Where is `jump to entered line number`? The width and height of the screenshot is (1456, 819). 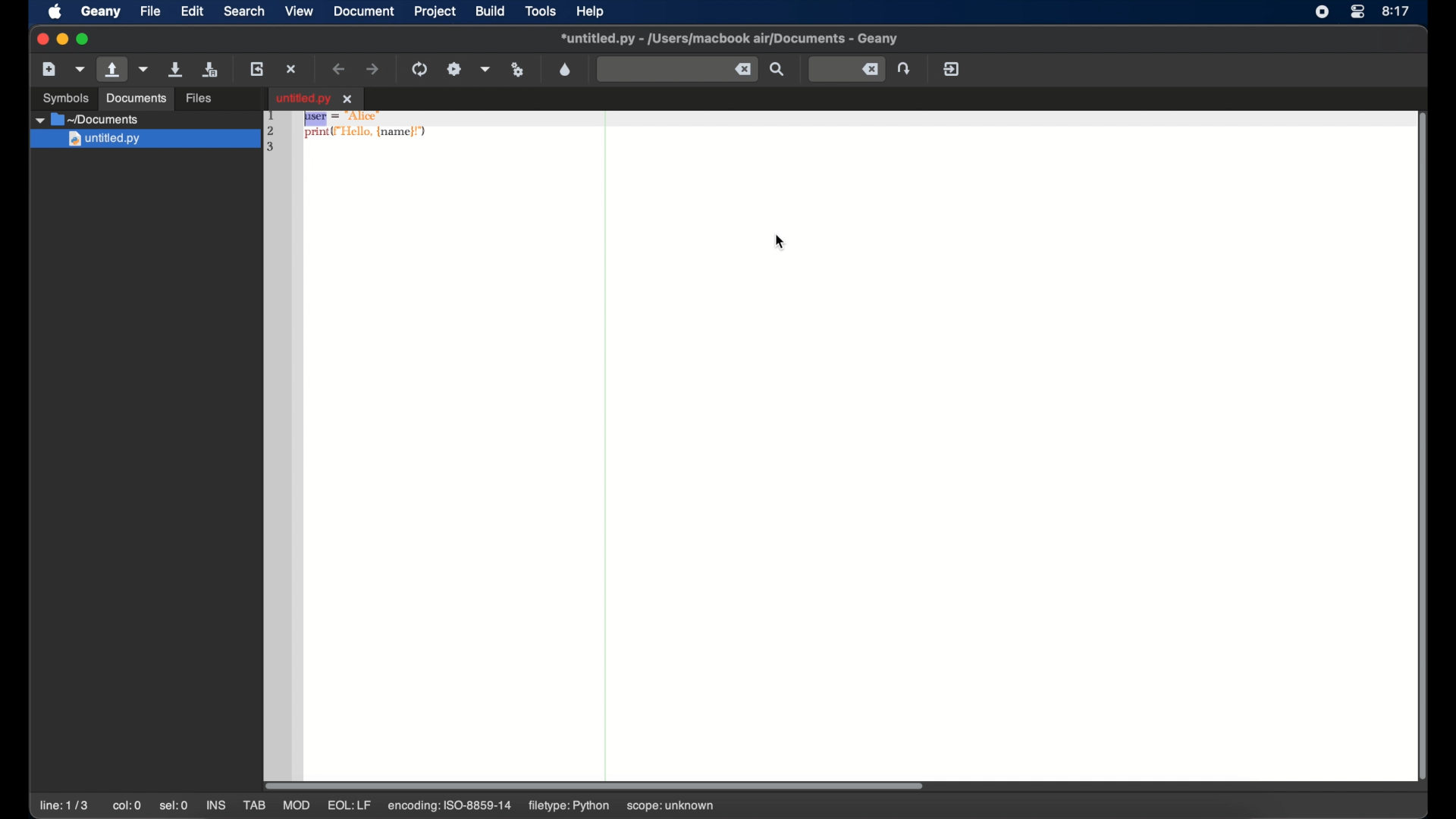
jump to entered line number is located at coordinates (848, 69).